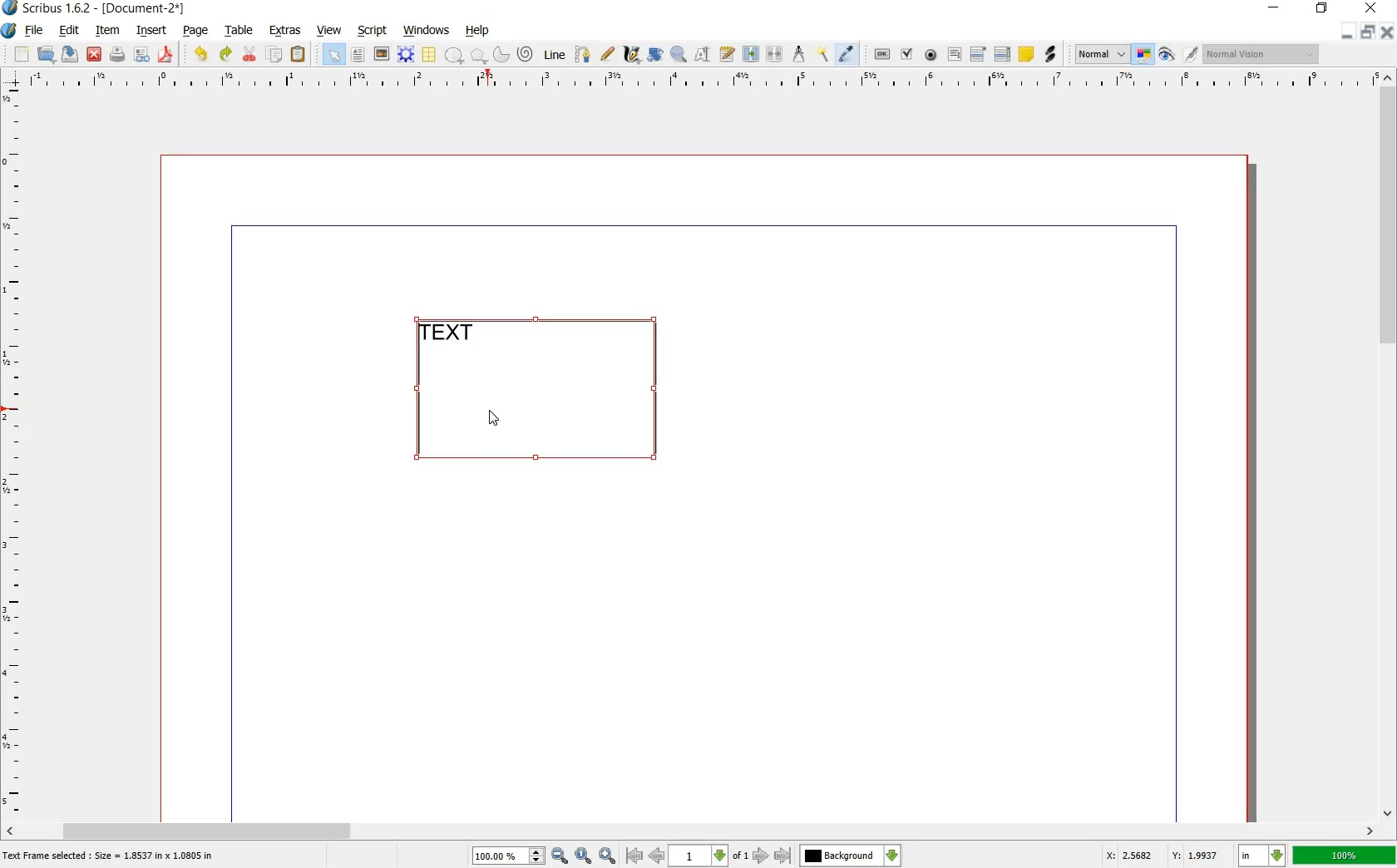  What do you see at coordinates (656, 55) in the screenshot?
I see `rotate item` at bounding box center [656, 55].